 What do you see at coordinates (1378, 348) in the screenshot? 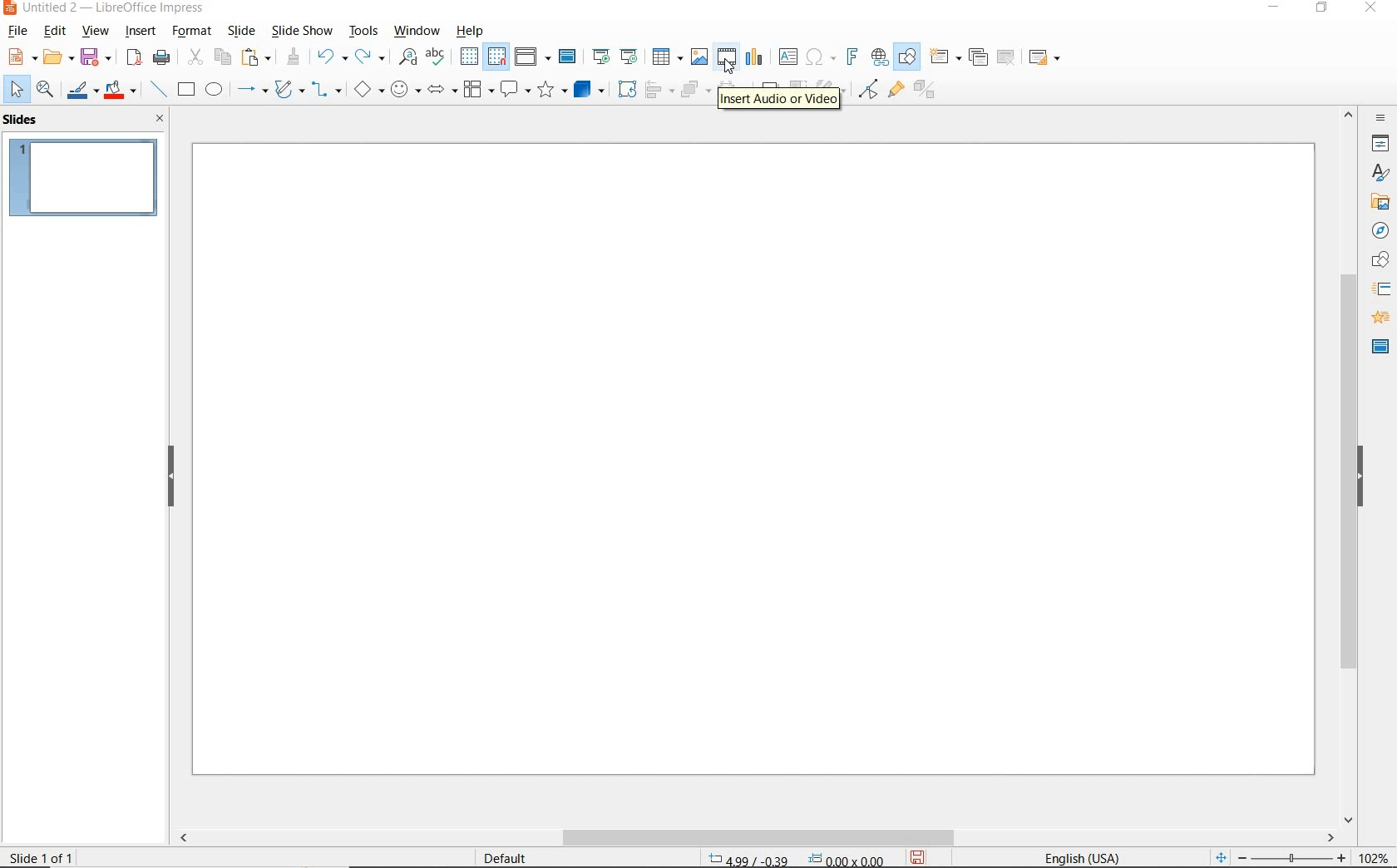
I see `MASTER SLIDE` at bounding box center [1378, 348].